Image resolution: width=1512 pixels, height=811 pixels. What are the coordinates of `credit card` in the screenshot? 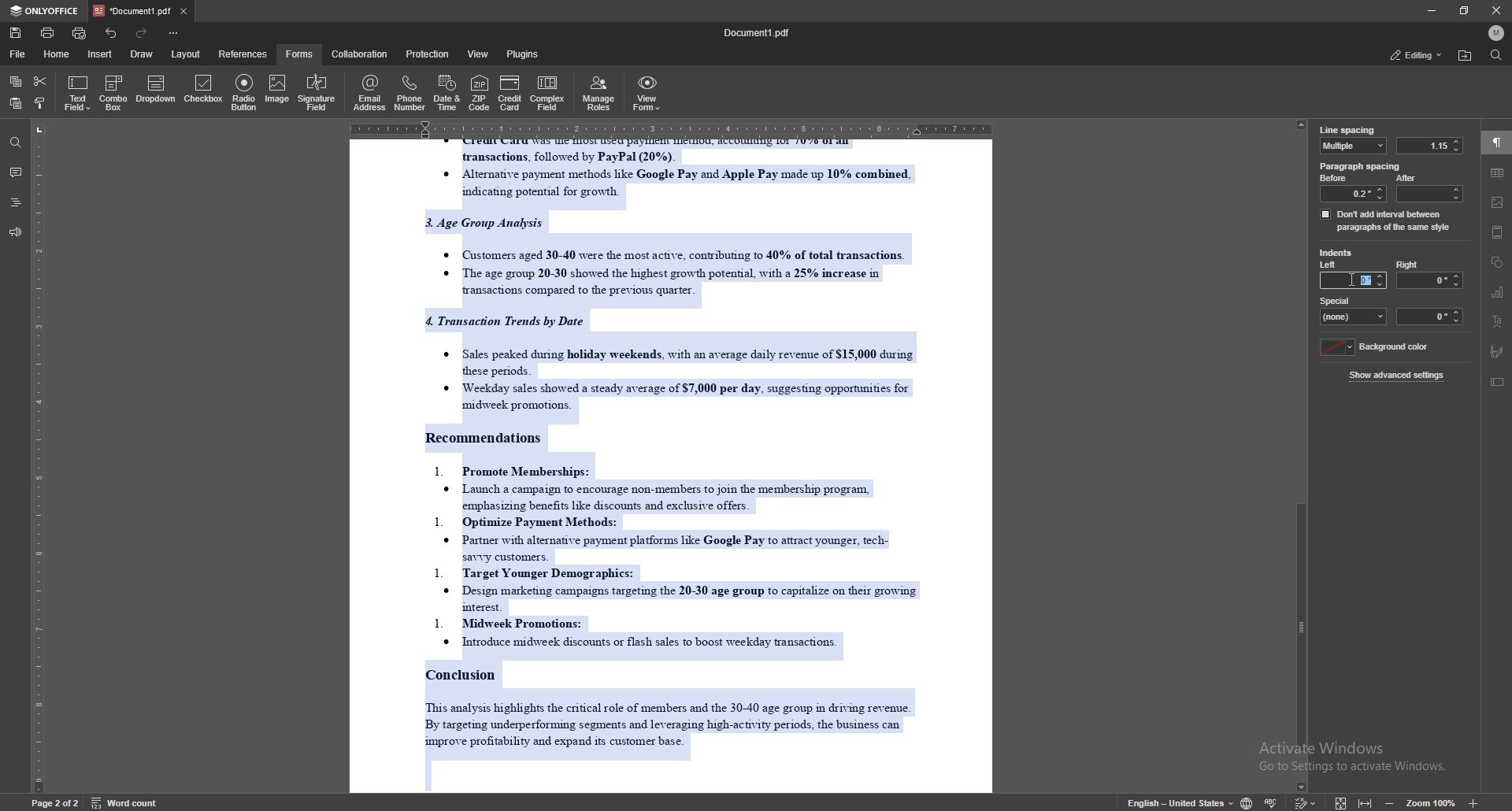 It's located at (510, 92).